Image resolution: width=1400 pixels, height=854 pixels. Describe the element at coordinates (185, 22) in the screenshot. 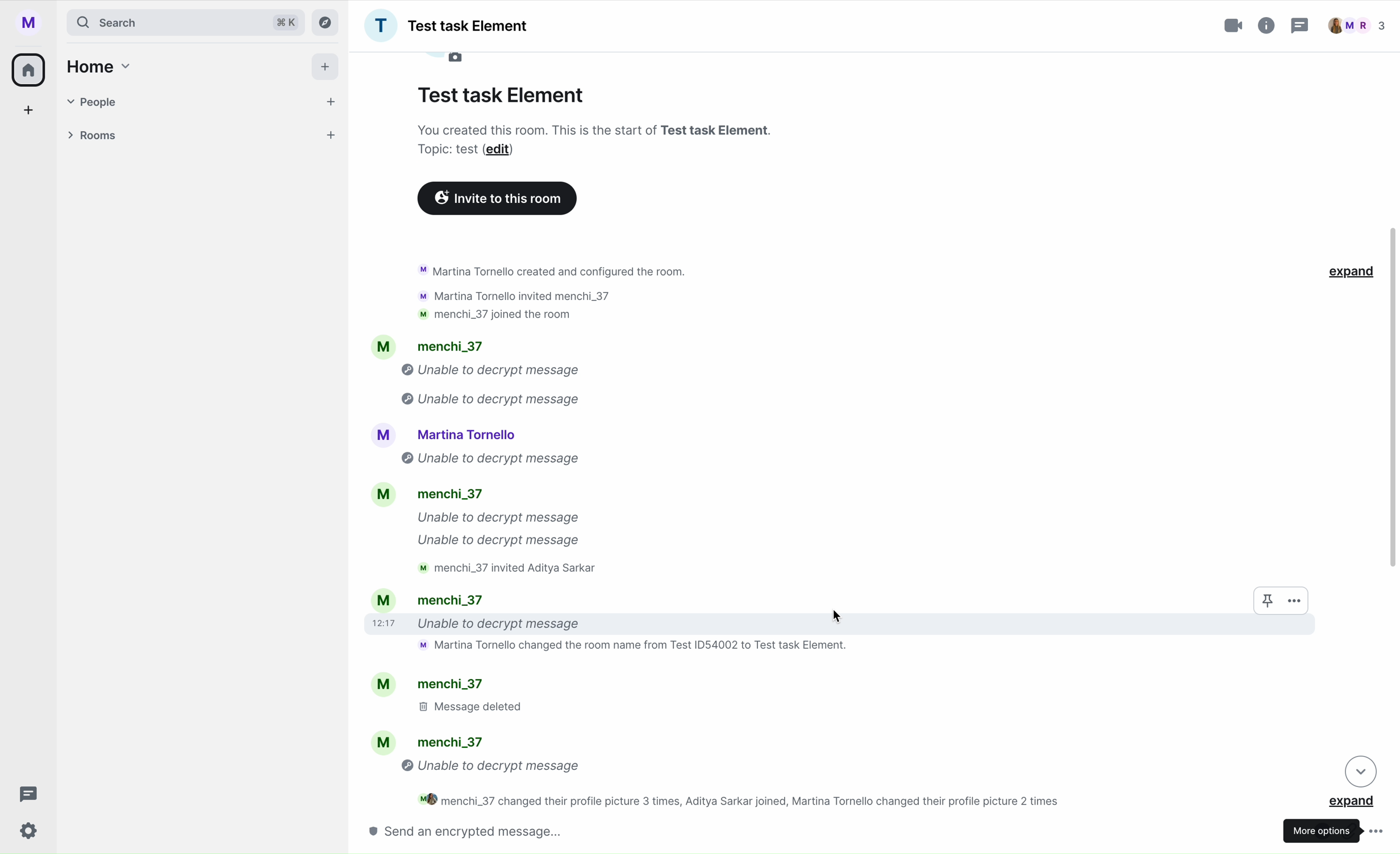

I see `search tab` at that location.